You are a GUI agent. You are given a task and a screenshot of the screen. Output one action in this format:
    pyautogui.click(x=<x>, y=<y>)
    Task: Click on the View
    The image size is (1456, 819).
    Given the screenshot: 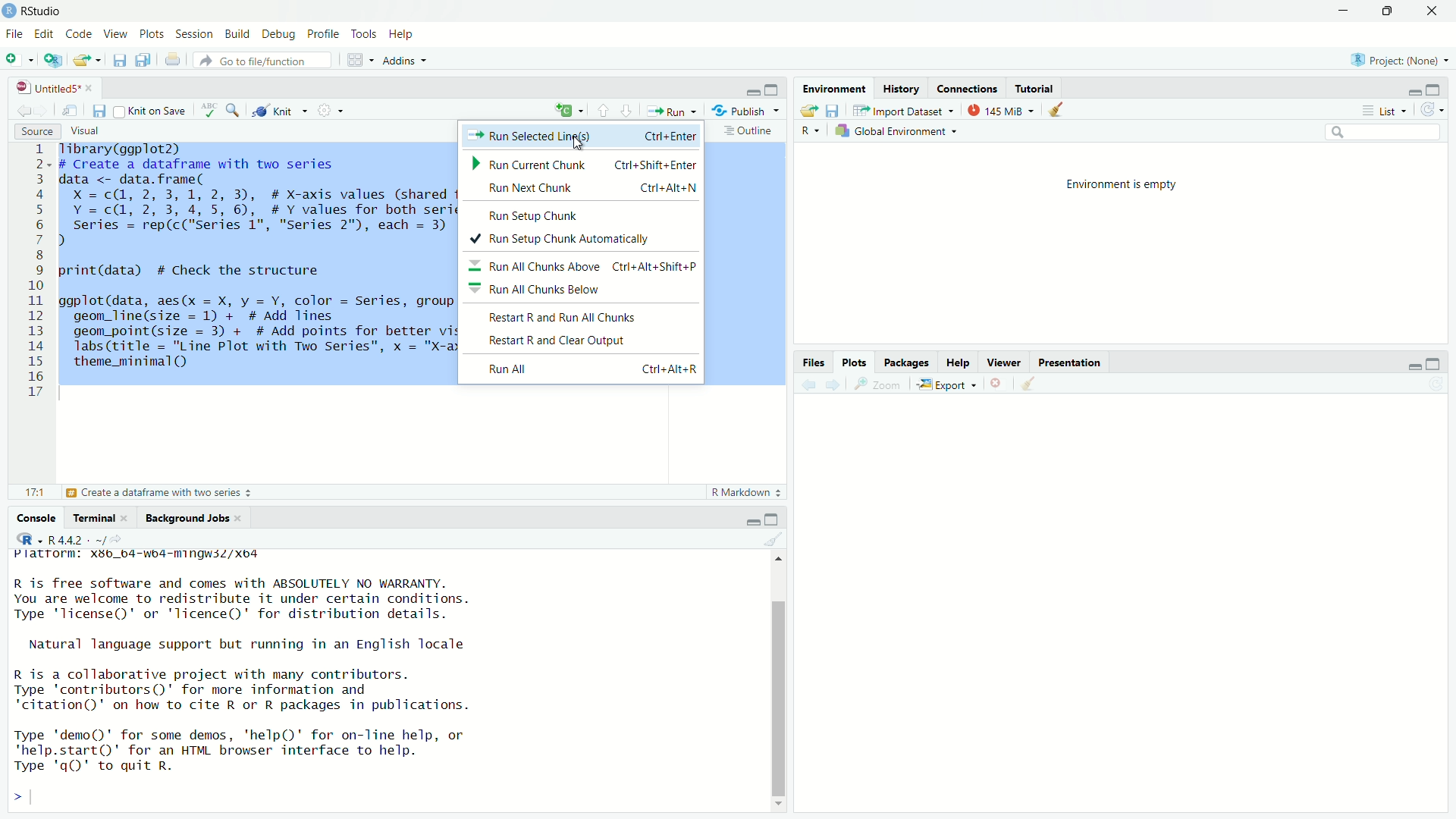 What is the action you would take?
    pyautogui.click(x=117, y=36)
    